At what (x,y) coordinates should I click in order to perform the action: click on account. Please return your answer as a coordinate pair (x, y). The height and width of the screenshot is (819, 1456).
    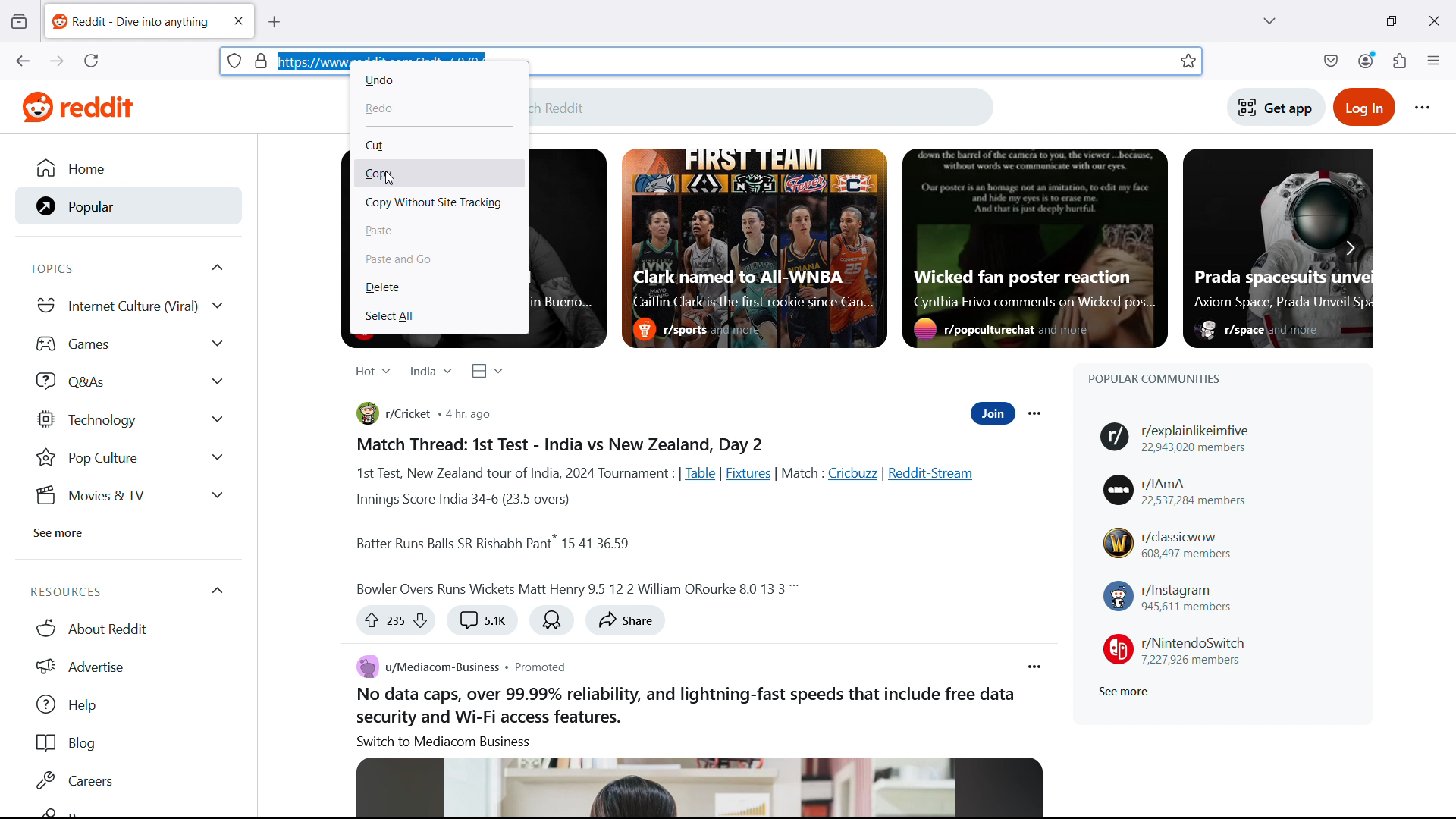
    Looking at the image, I should click on (1367, 59).